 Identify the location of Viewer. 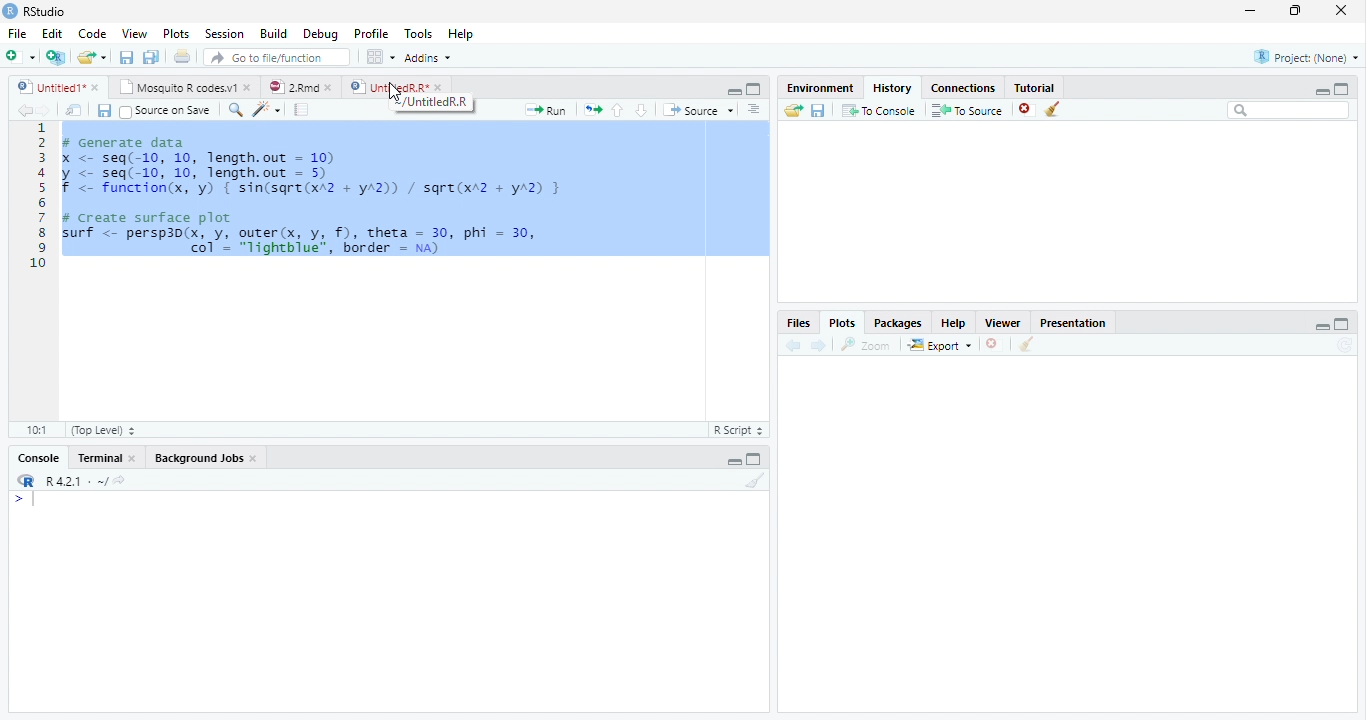
(1002, 322).